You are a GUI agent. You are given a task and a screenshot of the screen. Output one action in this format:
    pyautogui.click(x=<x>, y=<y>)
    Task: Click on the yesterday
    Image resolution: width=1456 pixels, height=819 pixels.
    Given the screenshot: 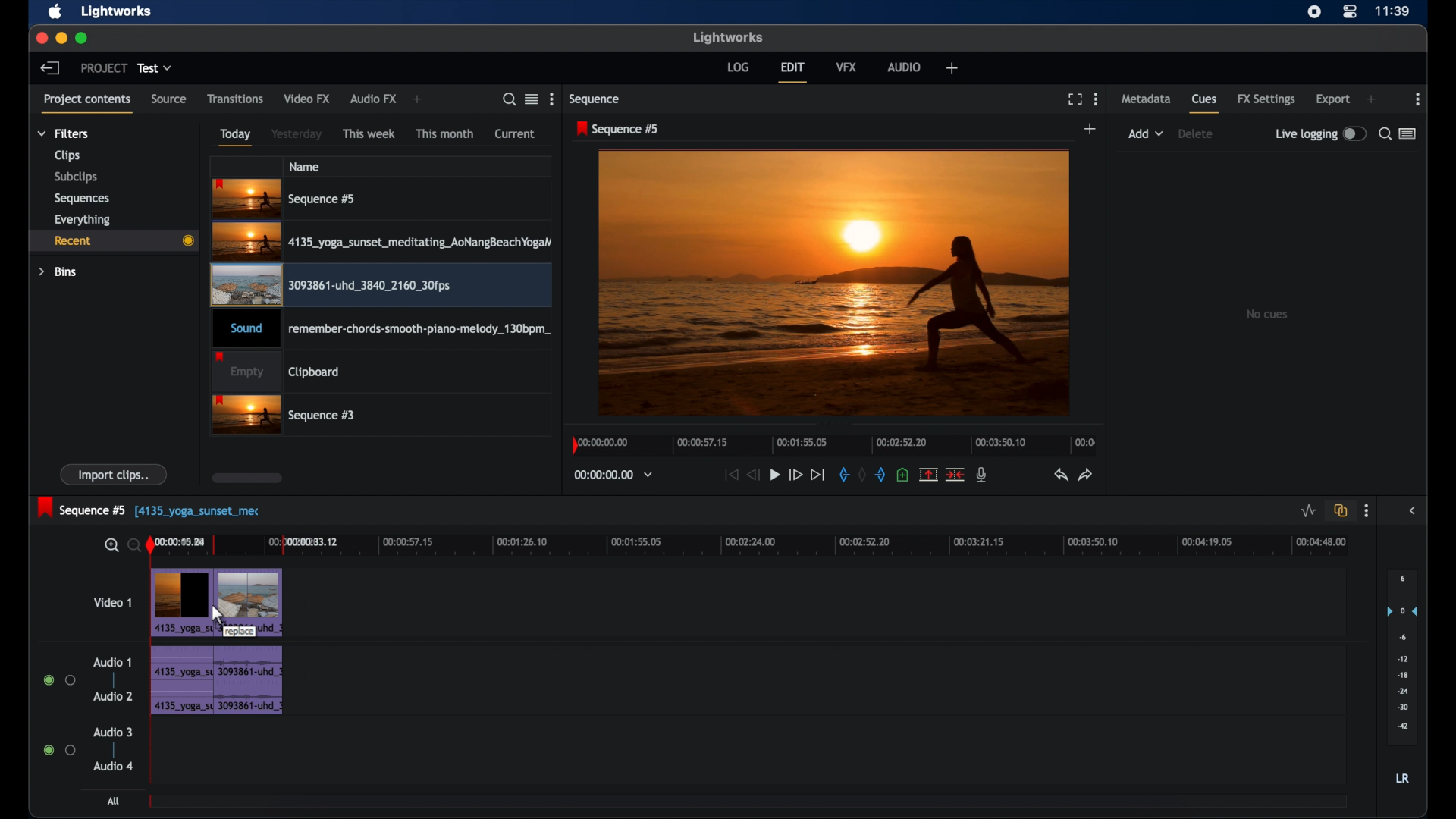 What is the action you would take?
    pyautogui.click(x=296, y=133)
    